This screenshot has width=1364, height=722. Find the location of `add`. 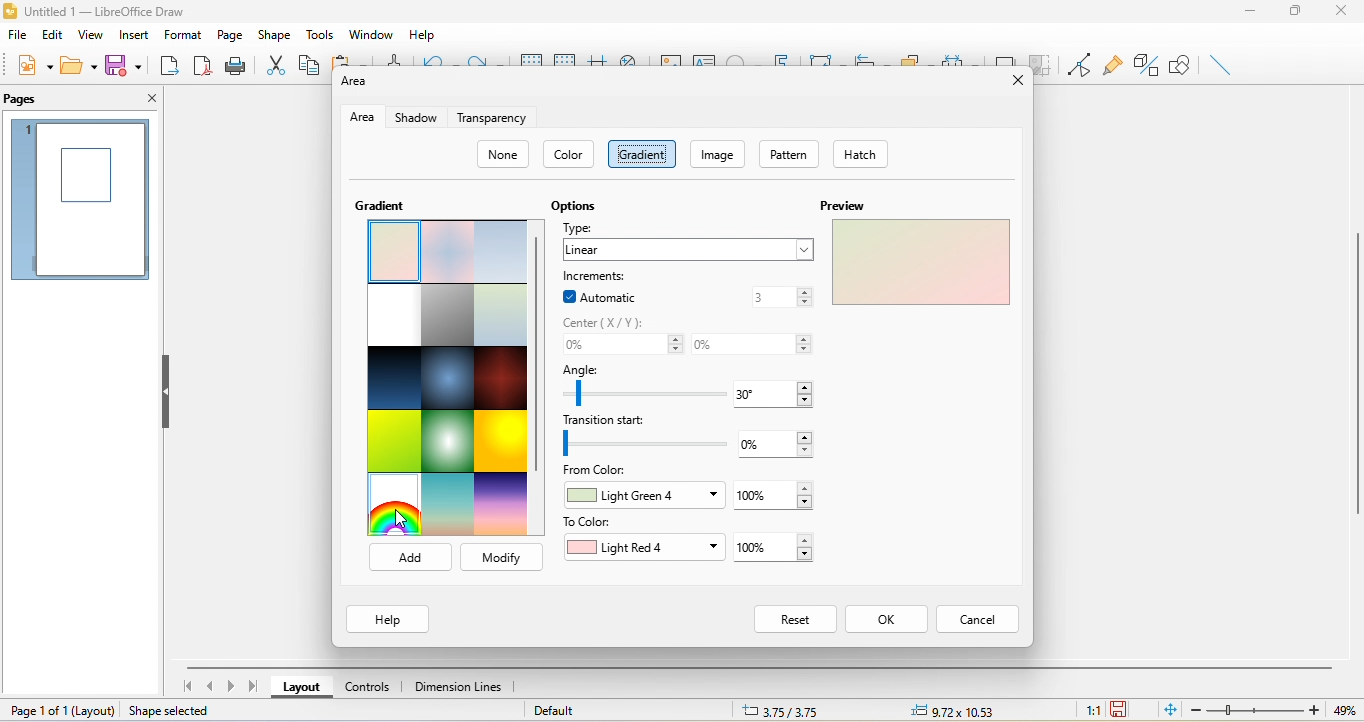

add is located at coordinates (410, 558).